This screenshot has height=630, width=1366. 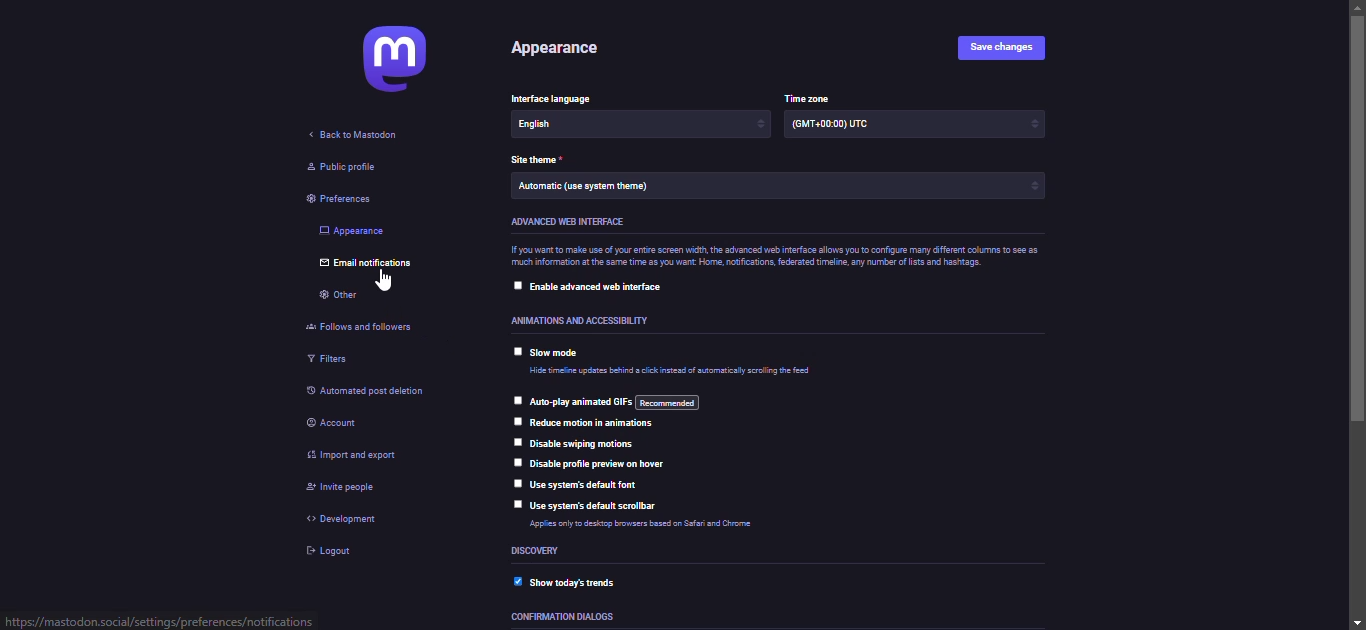 What do you see at coordinates (164, 619) in the screenshot?
I see `website` at bounding box center [164, 619].